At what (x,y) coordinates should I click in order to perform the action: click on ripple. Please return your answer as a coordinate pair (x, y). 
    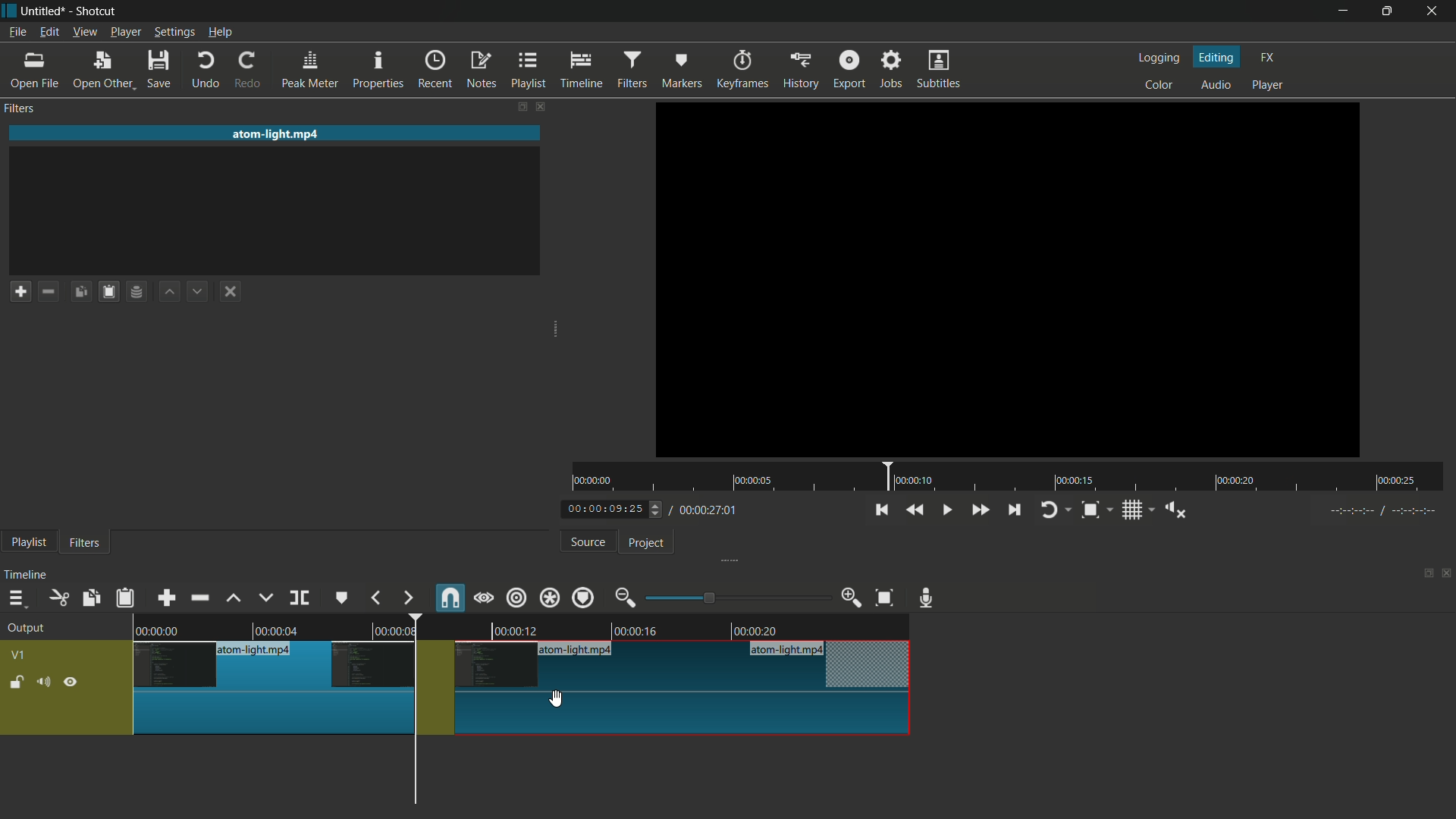
    Looking at the image, I should click on (517, 599).